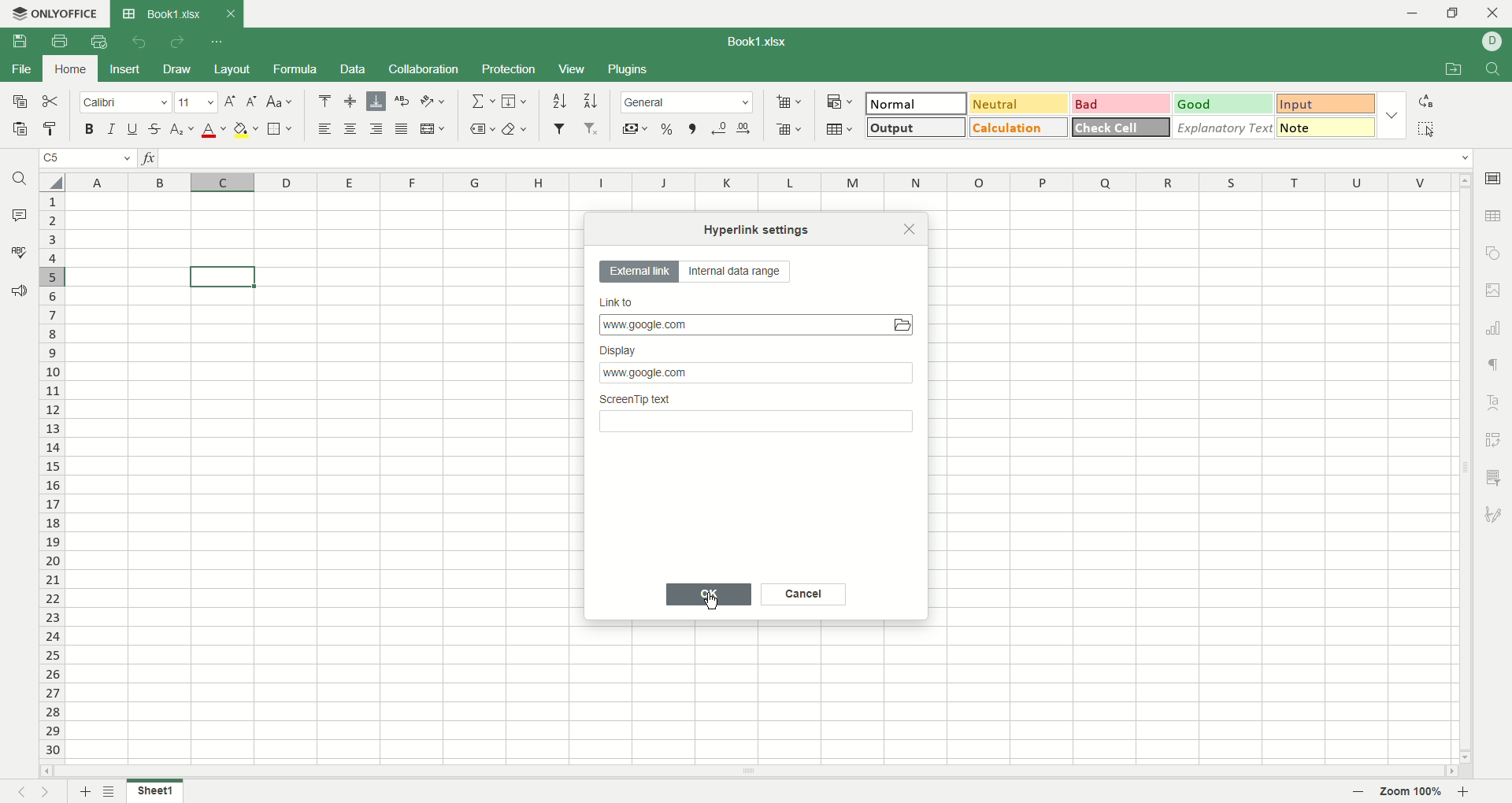 The width and height of the screenshot is (1512, 803). Describe the element at coordinates (688, 102) in the screenshot. I see `general` at that location.